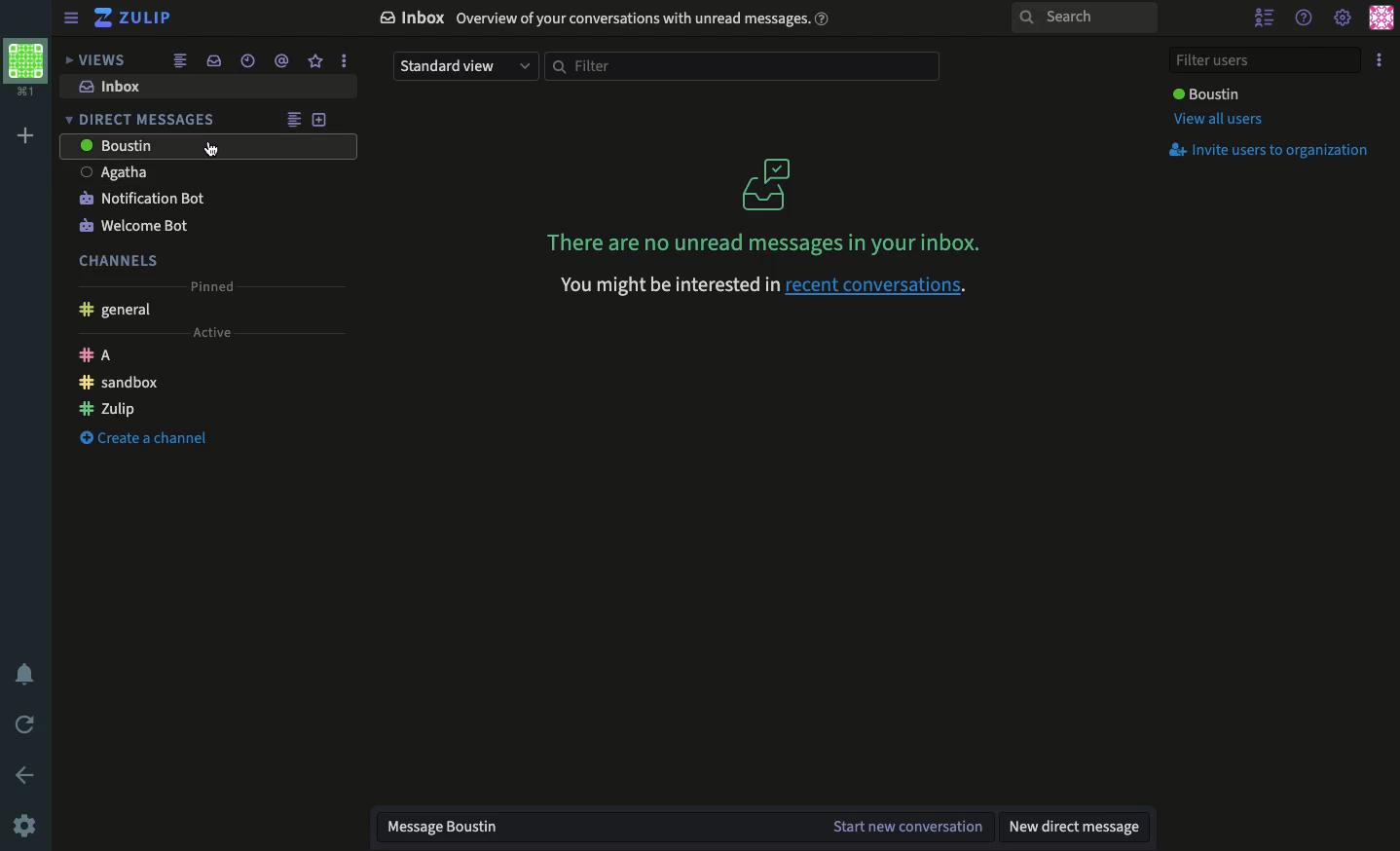  I want to click on Welcome bot, so click(135, 227).